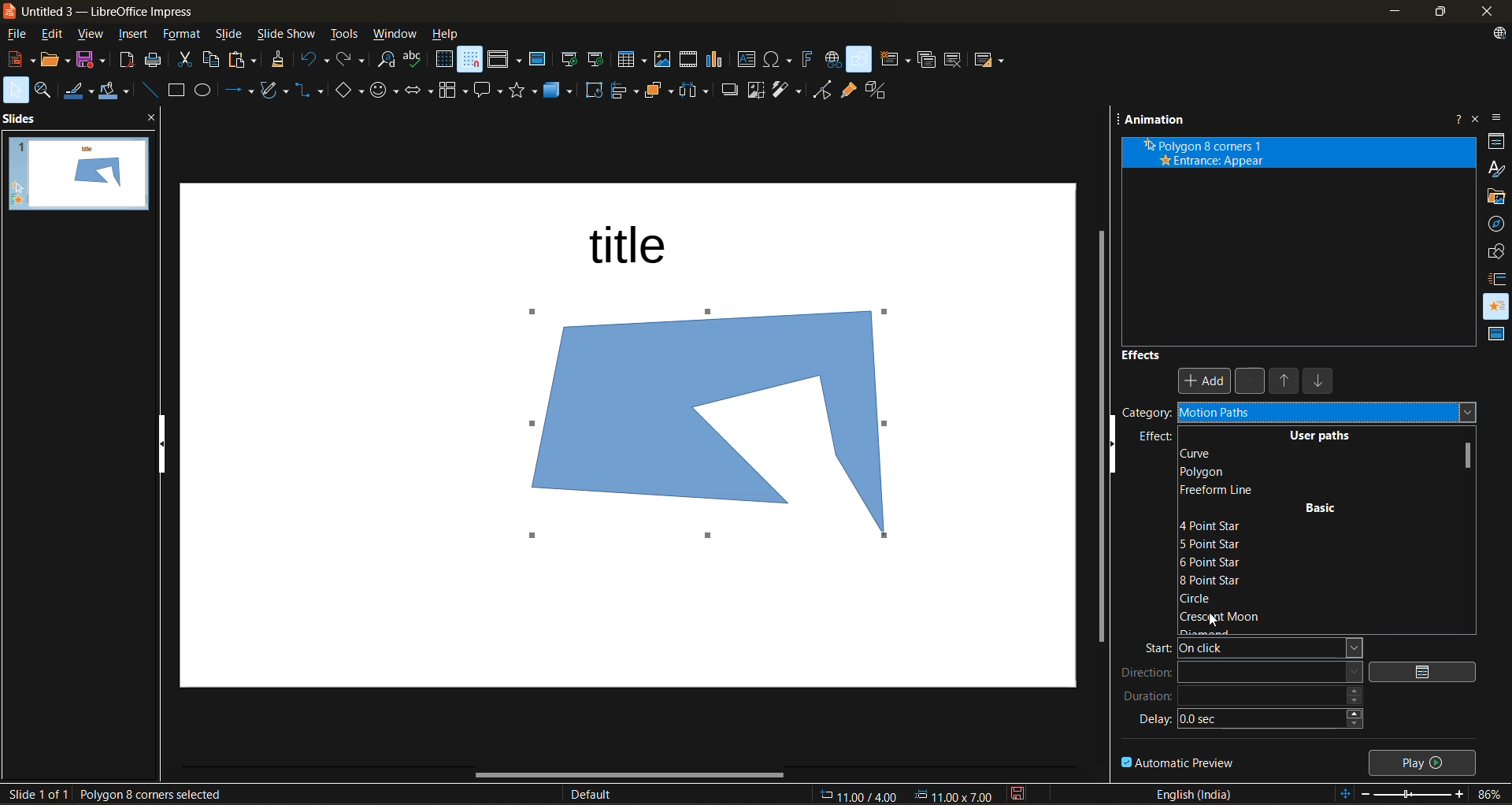  Describe the element at coordinates (632, 244) in the screenshot. I see `title` at that location.